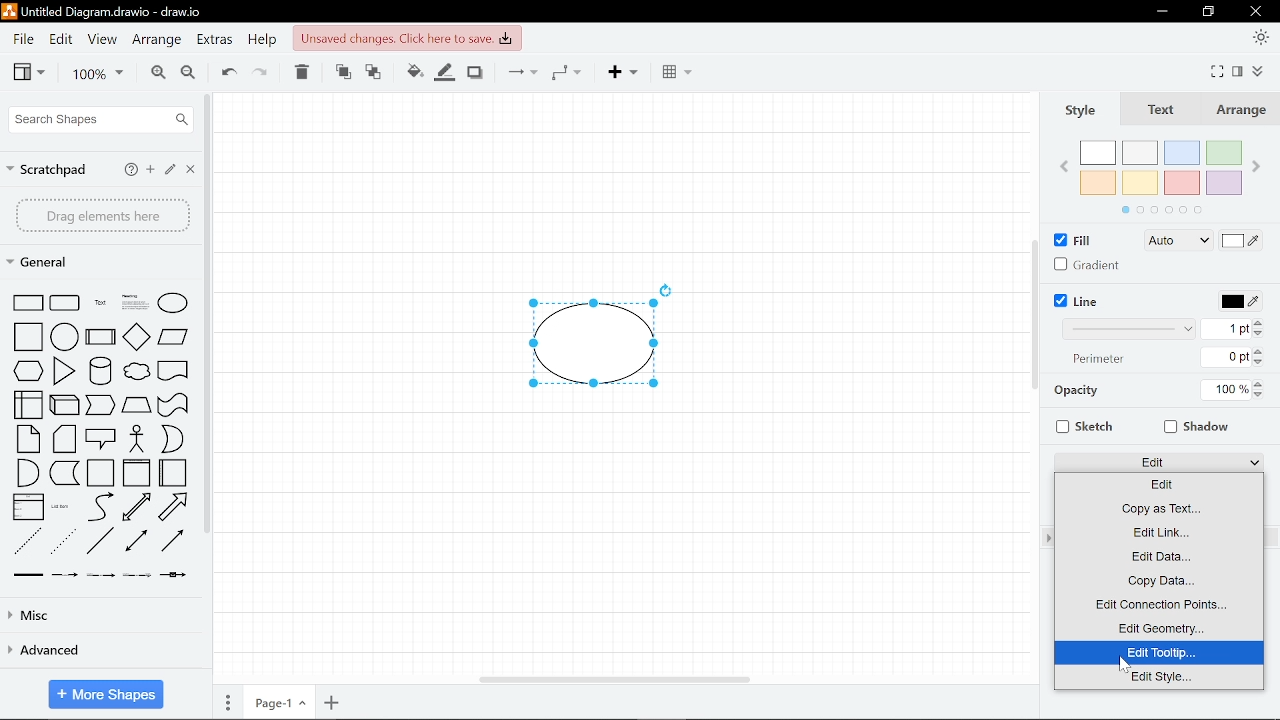 Image resolution: width=1280 pixels, height=720 pixels. What do you see at coordinates (1261, 70) in the screenshot?
I see `Expand/collapse` at bounding box center [1261, 70].